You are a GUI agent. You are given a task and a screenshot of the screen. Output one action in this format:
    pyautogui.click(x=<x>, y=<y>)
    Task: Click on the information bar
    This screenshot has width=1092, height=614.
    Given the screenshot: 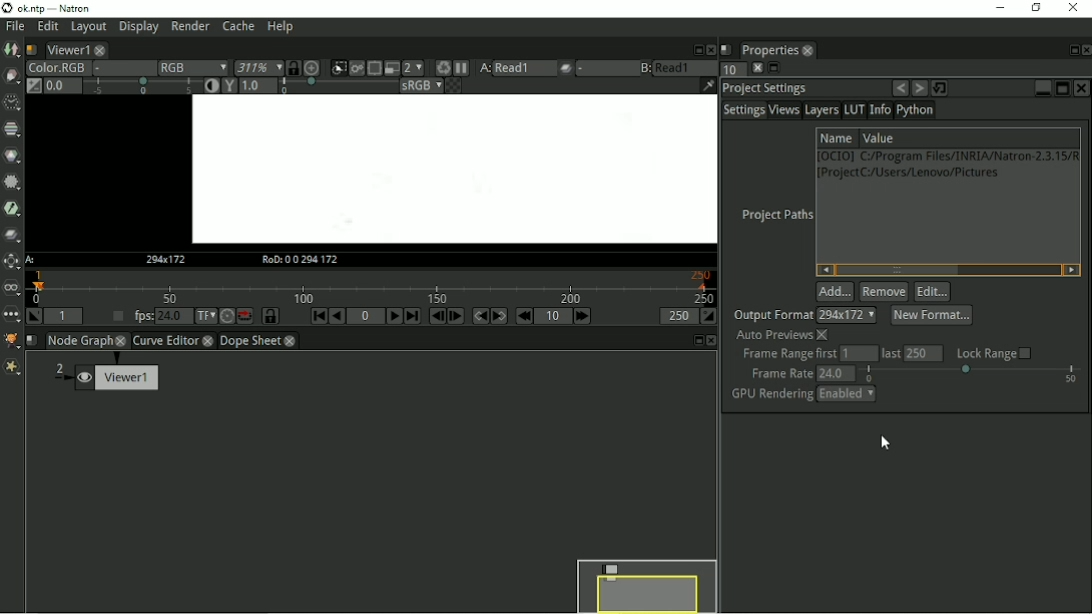 What is the action you would take?
    pyautogui.click(x=708, y=86)
    